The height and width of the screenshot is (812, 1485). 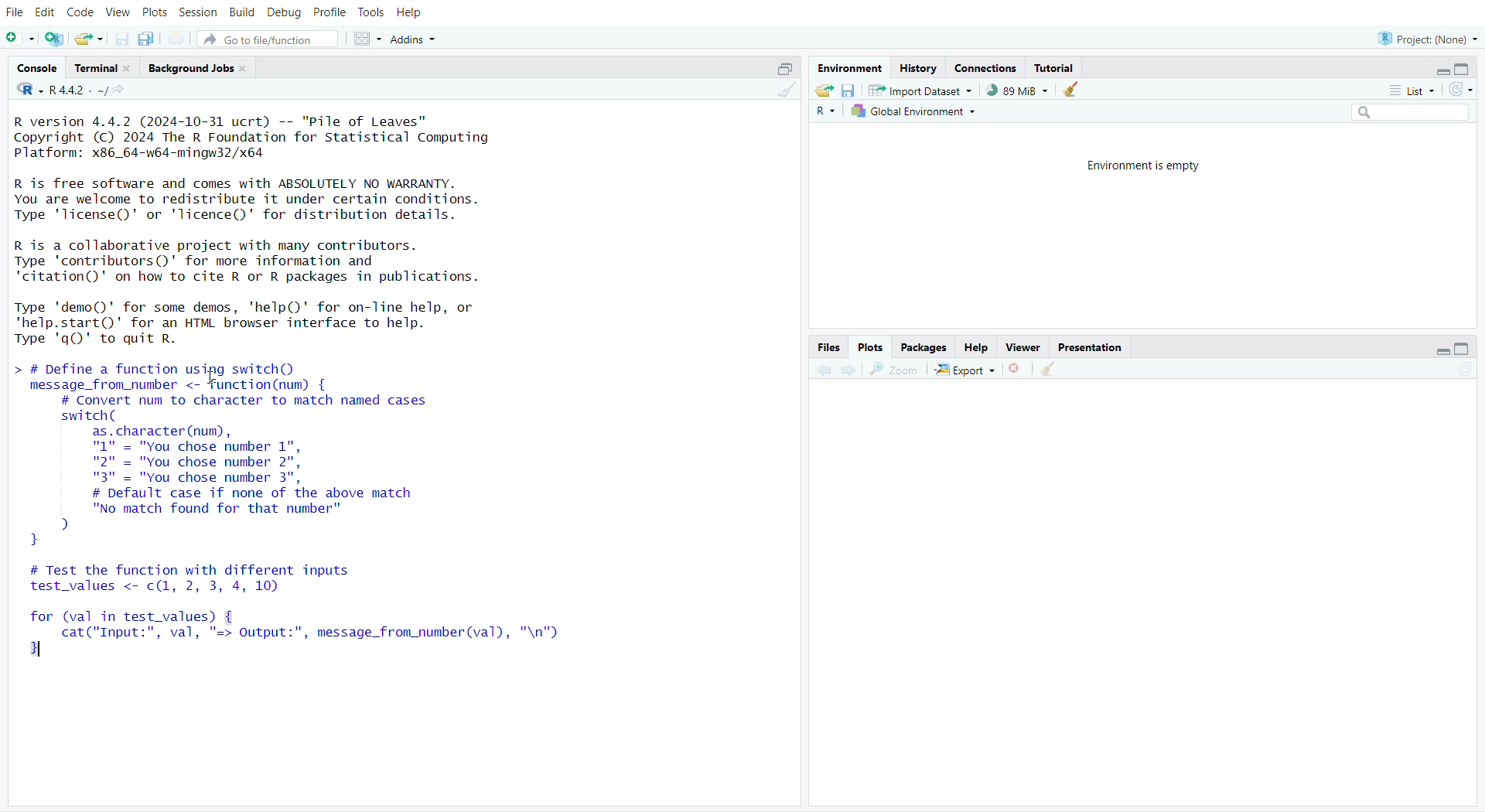 I want to click on R version 4.4.2 (2024-10-31 ucrt) -- "Pile of Leaves"
Copyright (C) 2024 The R Foundation for Statistical Computing
Platform: x86_64-w64-mingw32/x64

R is free software and comes with ABSOLUTELY NO WARRANTY.
You are welcome to redistribute it under certain conditions.
Type 'license()' or 'licence()' for distribution details.

R is a collaborative project with many contributors.

Type 'contributors()' for more information and

"citation()' on how to cite R or R packages in publications.
Type 'demo()' for some demos, 'help()' for on-Tine help, or
"help.start()"' for an HTML browser interface to help.

Type 'qQ' to quit R., so click(x=269, y=234).